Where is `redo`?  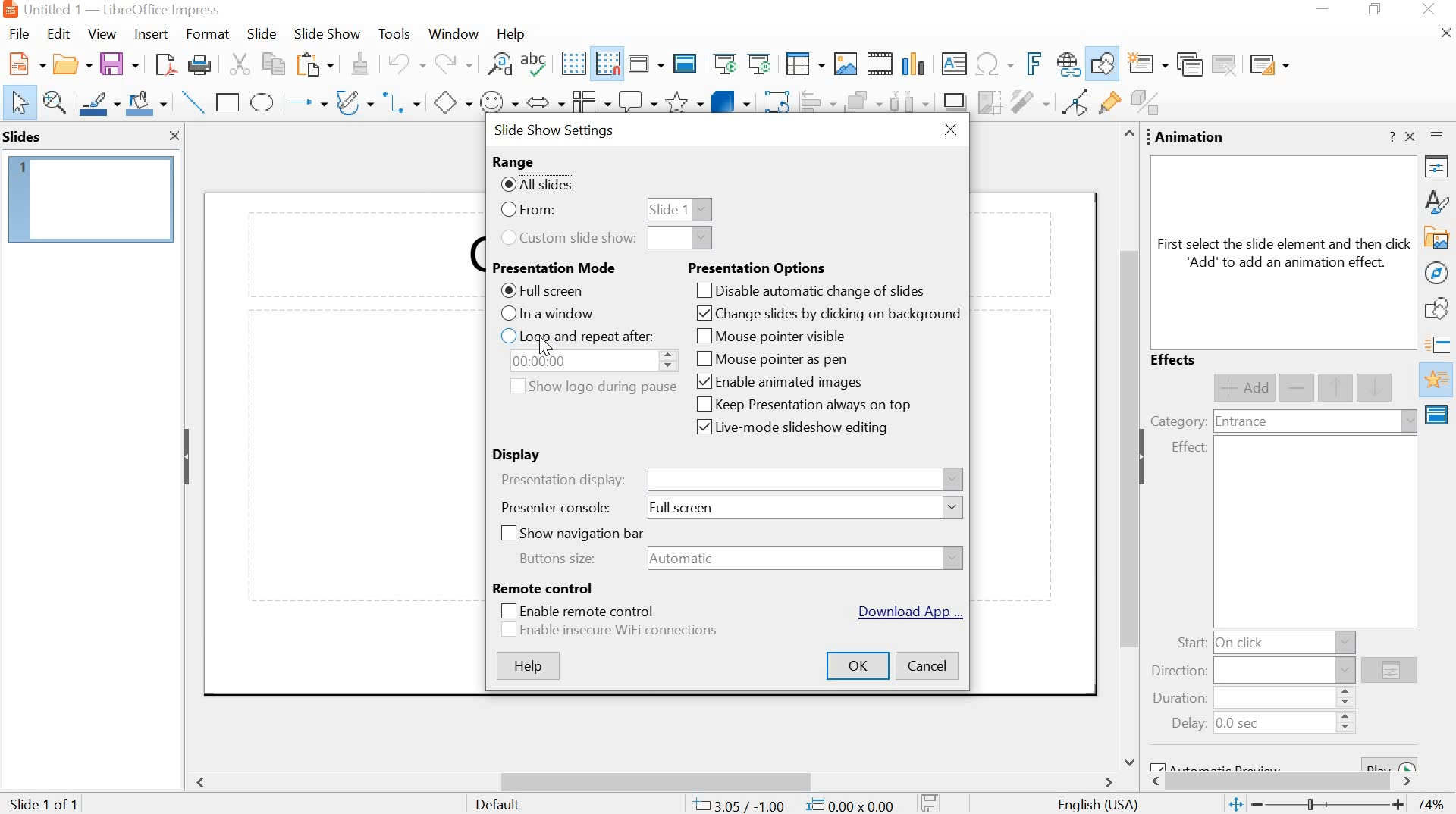 redo is located at coordinates (451, 64).